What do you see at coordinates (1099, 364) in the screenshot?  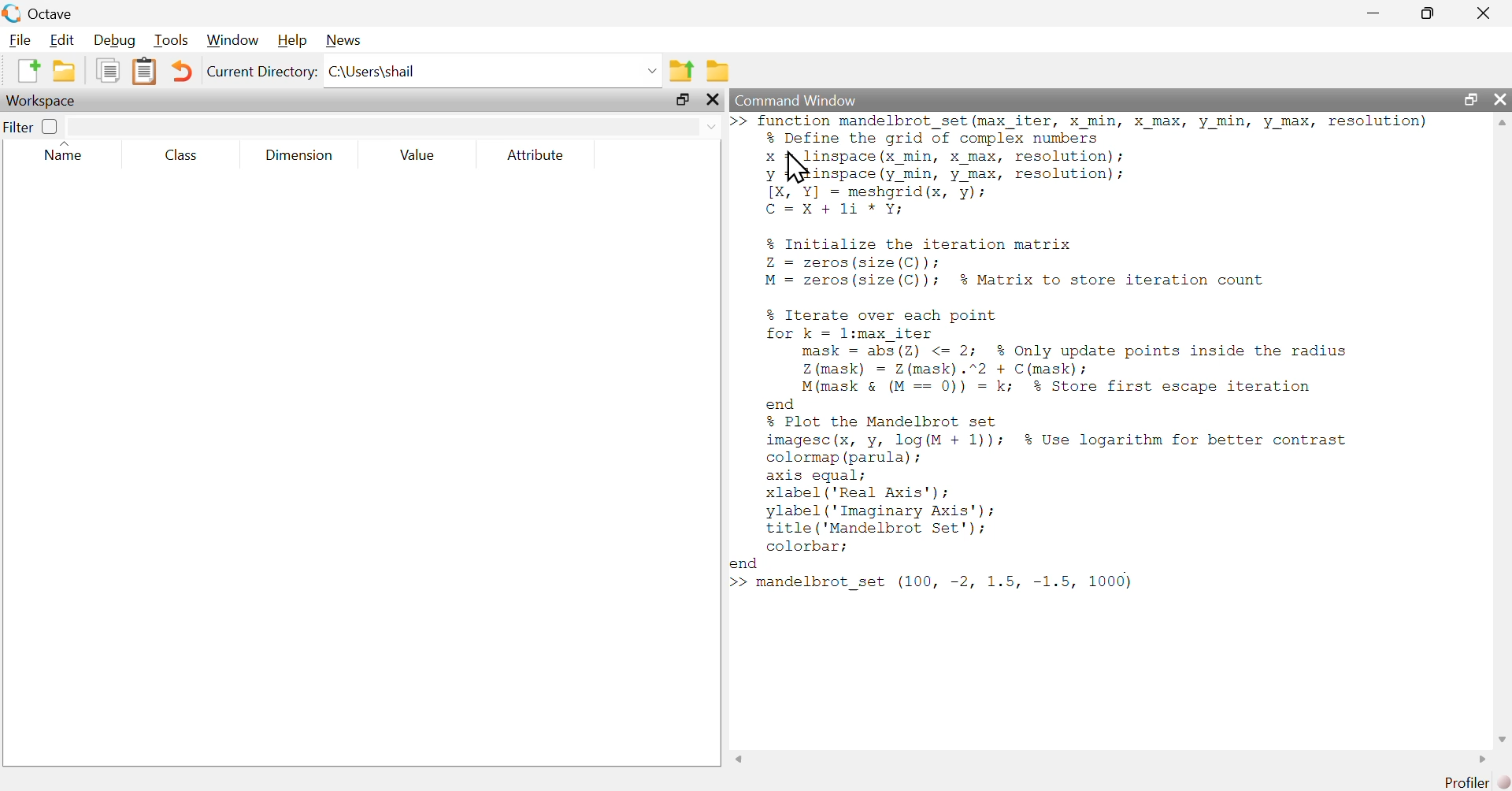 I see `>> function mandelbrot_set (max_1iter, X min, X max, y min, y max, resolution)
% Define the grid of complex numbers
x linspace(x_min, x max, resolution);
y I honace (ymin, y_max, resolution);
[X, Y] = meshgrid(x, y):
C=X+1i *Y;
% Initialize the iteration matrix
Z = zeros (size (C));
M = zeros(size(C)); % Matrix to store iteration count
% Iterate over each point
for k = l:max_iter
mask = abs (2) <= 2; $% Only update points inside the radius
Z (mask) = Z(mask).”2 + C(mask);
M(mask & (M == 0)) = k; % Store first escape iteration
end
% Plot the Mandelbrot set
imagesc(x, y, log(M + 1)); $% Use logarithm for better contrast
colormap (parula) ;
axis equal;
xlabel ("Real Axis");
ylabel ('Imaginary Axis');
title ('Mandelbrot Set'):
colorbar;
end .
>> mandelbrot_set (100, -2, 1.5, -1.5, 1000)` at bounding box center [1099, 364].